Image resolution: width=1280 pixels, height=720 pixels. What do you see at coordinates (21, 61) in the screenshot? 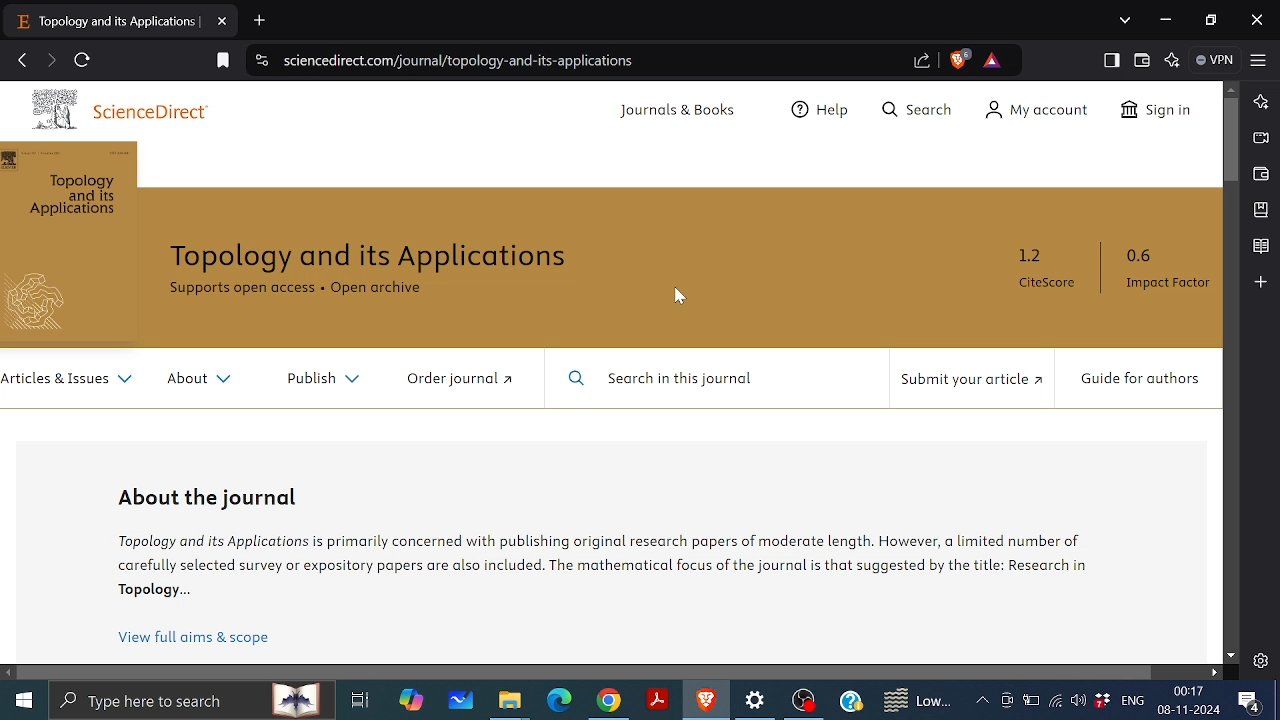
I see `Go back to previous page` at bounding box center [21, 61].